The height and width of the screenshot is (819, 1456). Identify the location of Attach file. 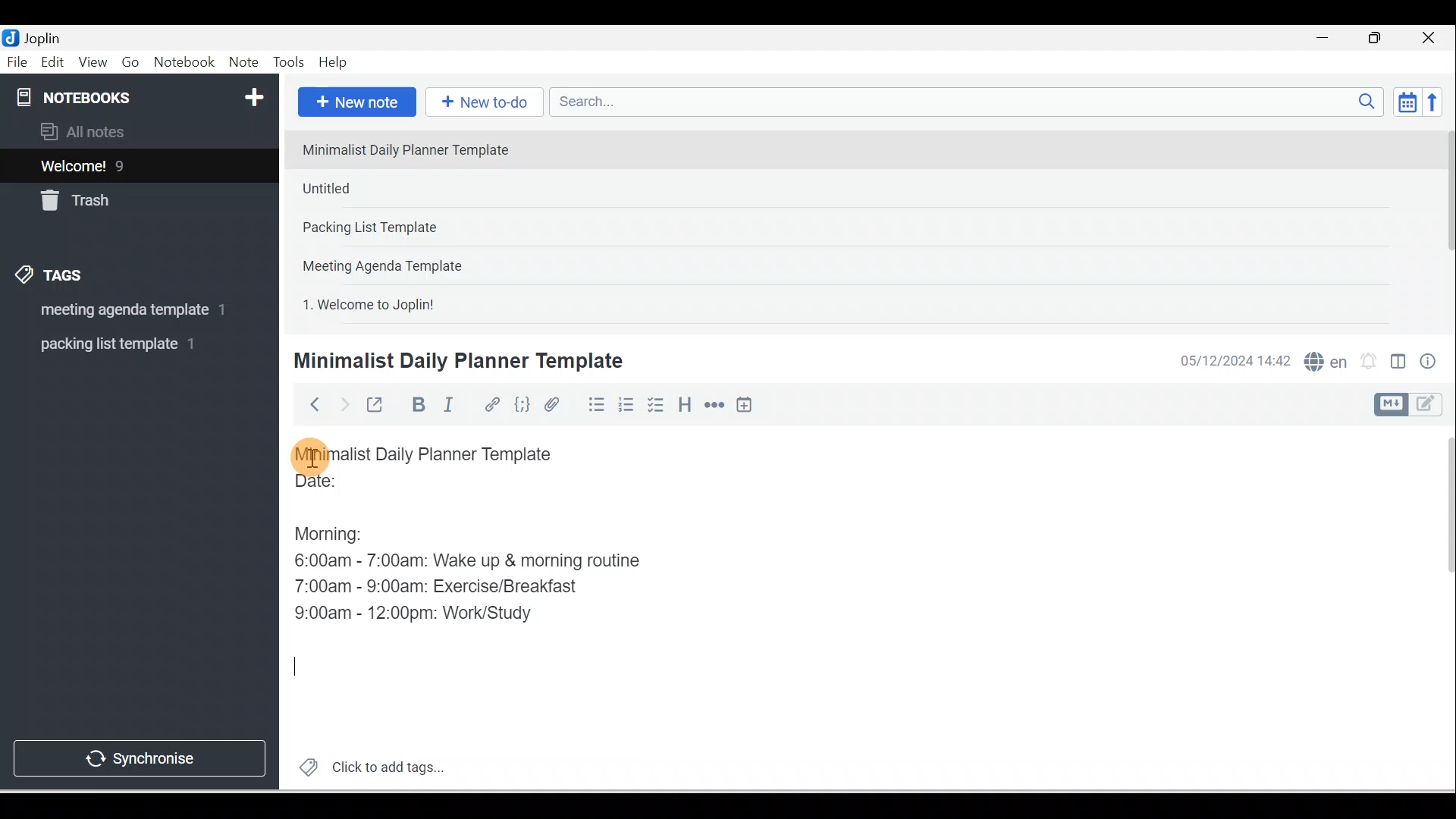
(556, 404).